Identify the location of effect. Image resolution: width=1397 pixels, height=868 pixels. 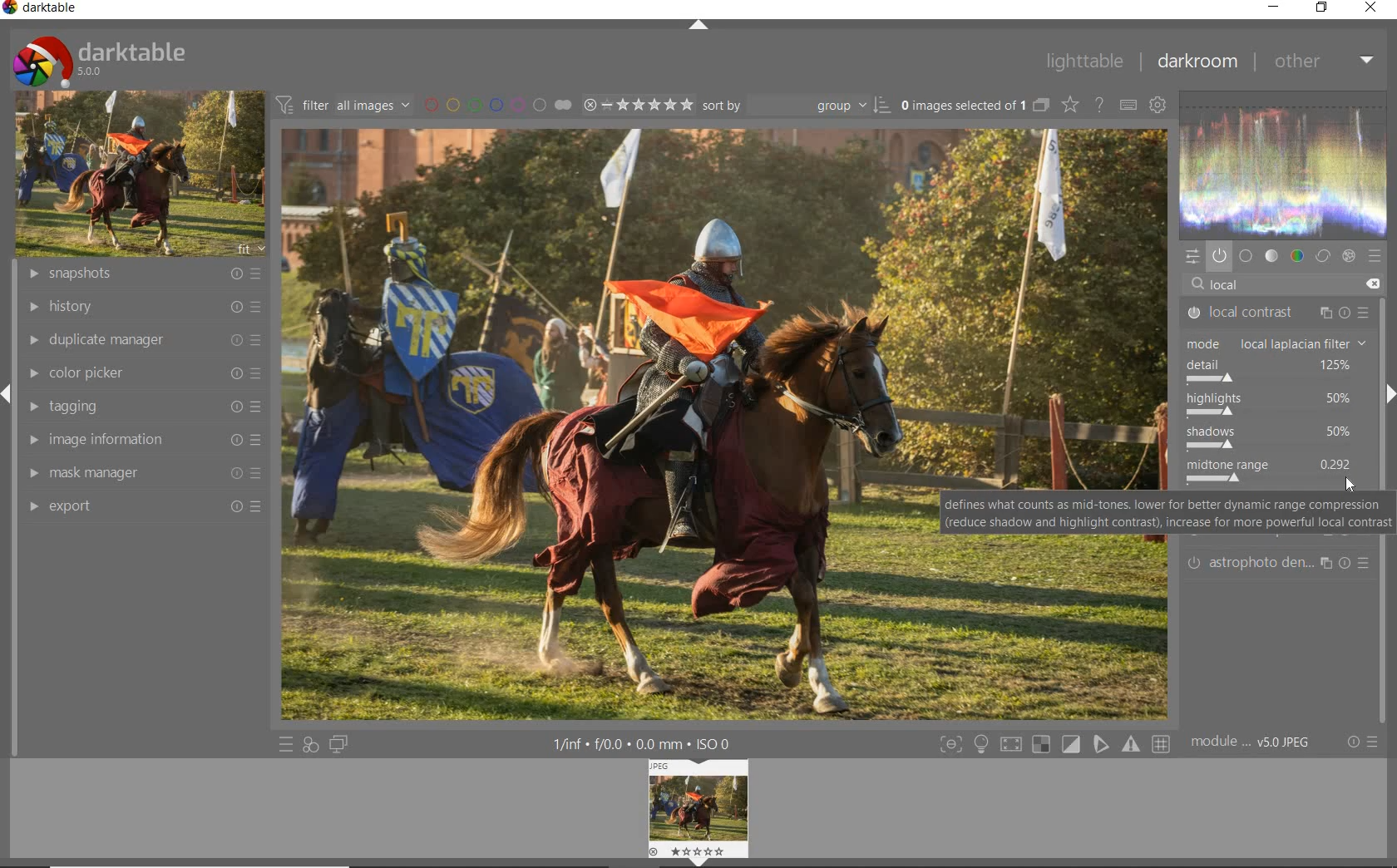
(1349, 255).